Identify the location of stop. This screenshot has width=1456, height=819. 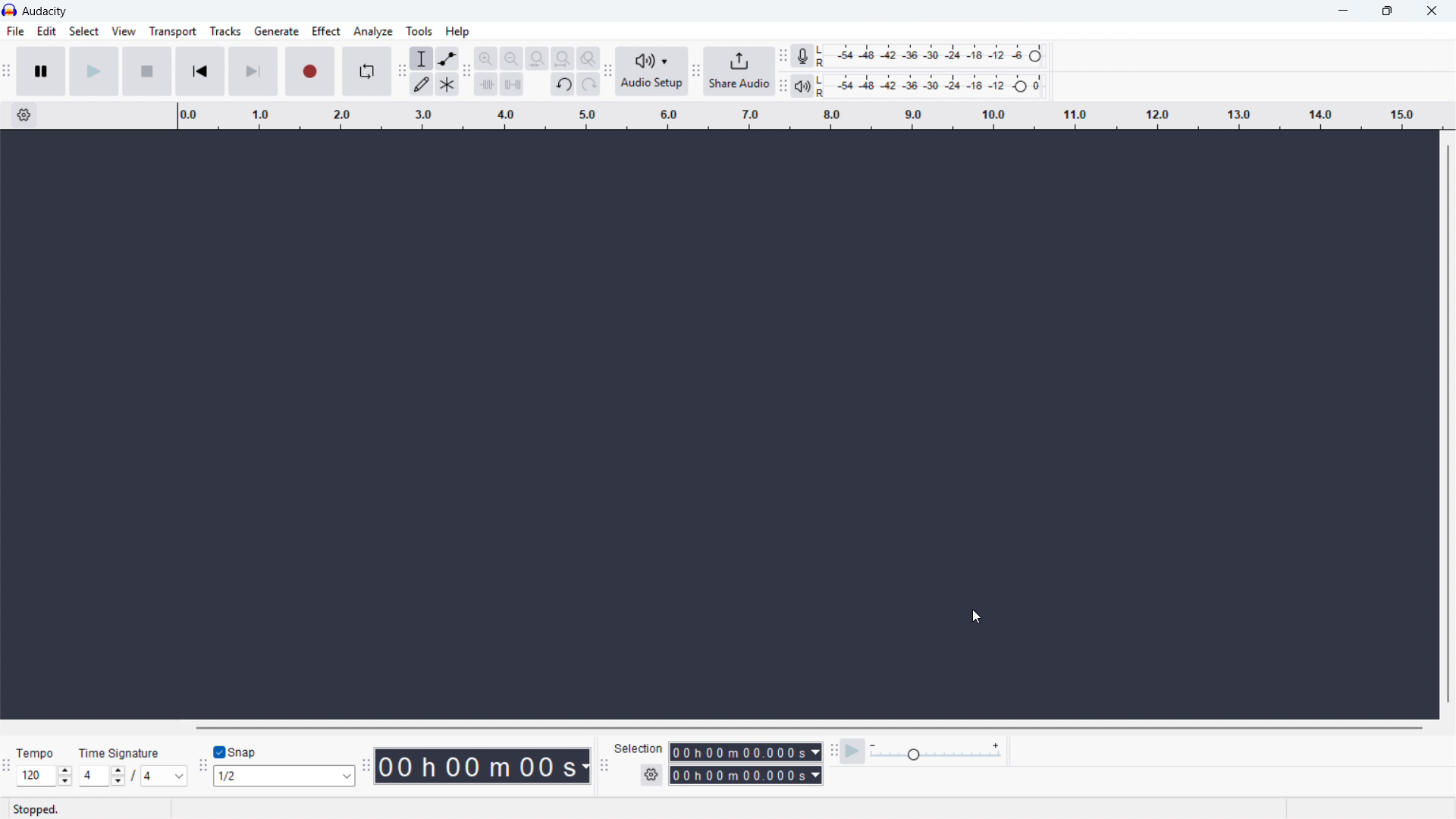
(148, 71).